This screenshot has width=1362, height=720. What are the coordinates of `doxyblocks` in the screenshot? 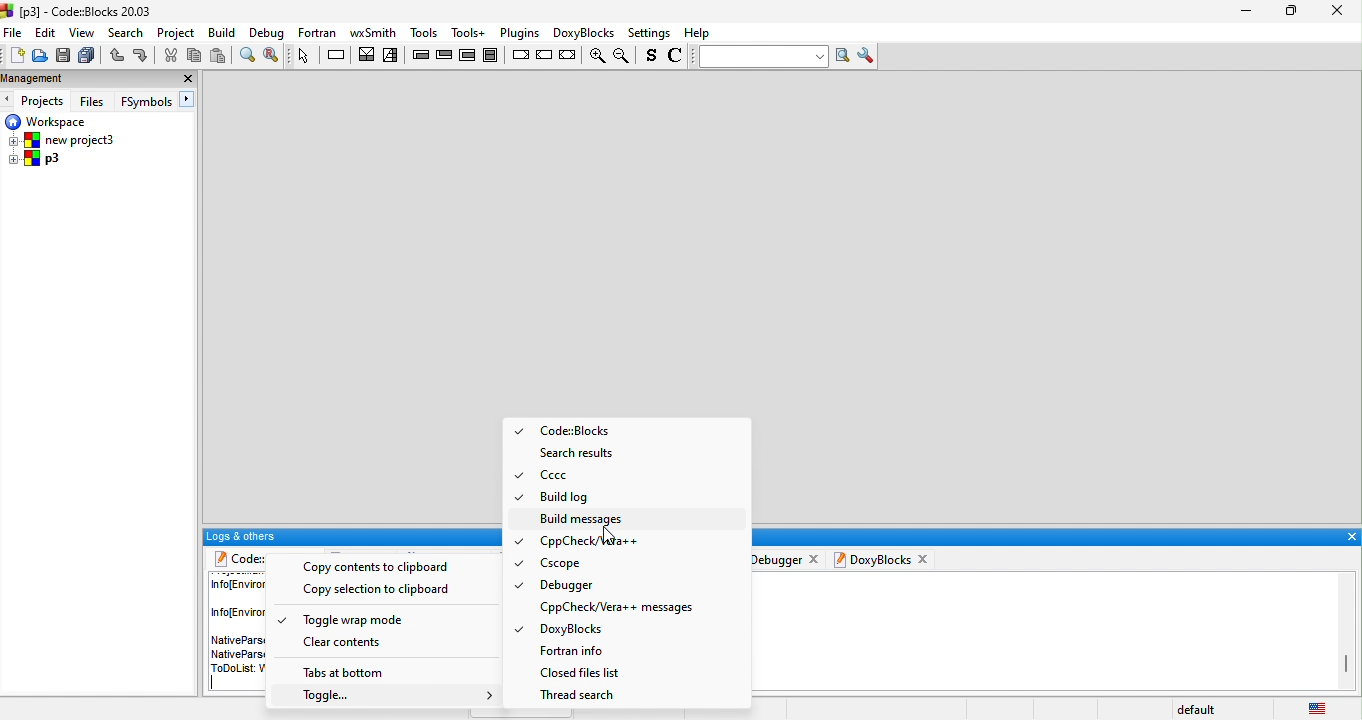 It's located at (581, 32).